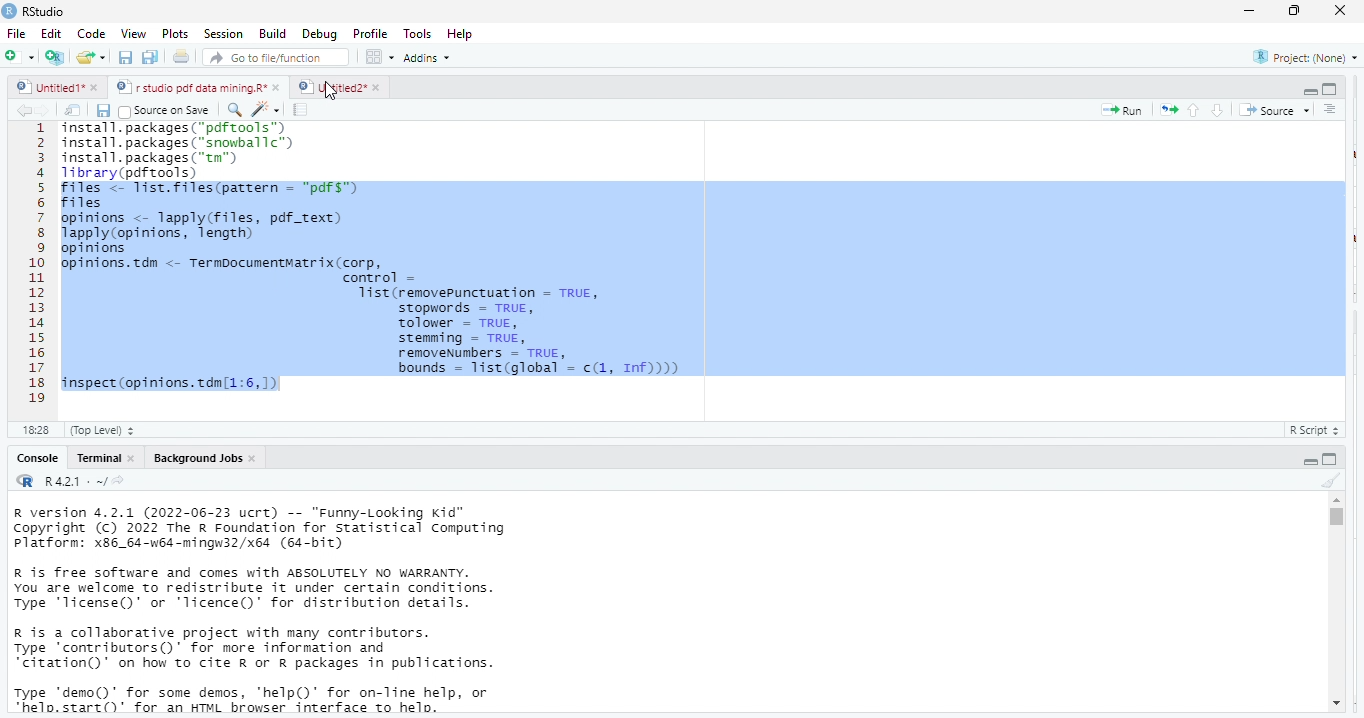  Describe the element at coordinates (701, 260) in the screenshot. I see `> install.packages("snowballc")

3 install. packages("tn")

+ 1ibrary(pdftools)

5 Files < Mist. Files (parcern - "pdfs"

5 Files

7 opinions <- lapply(files, pdf_text)

8 apply (opinions, length)

5 opinions

0 opinions. tdm <- Termpocumentvatrix (corp,

1 control =

2 Tist(removepunctuation = TRUE,
3 stopwords = TRUE,

A Tolower = TRUE,

5 stemming = TRUE,

3 removeNumbers = TRUE,

7 bounds = Tist(global = c(1, 1n))))
8 inspect (opinions. tdn(1:6,1)

5` at that location.